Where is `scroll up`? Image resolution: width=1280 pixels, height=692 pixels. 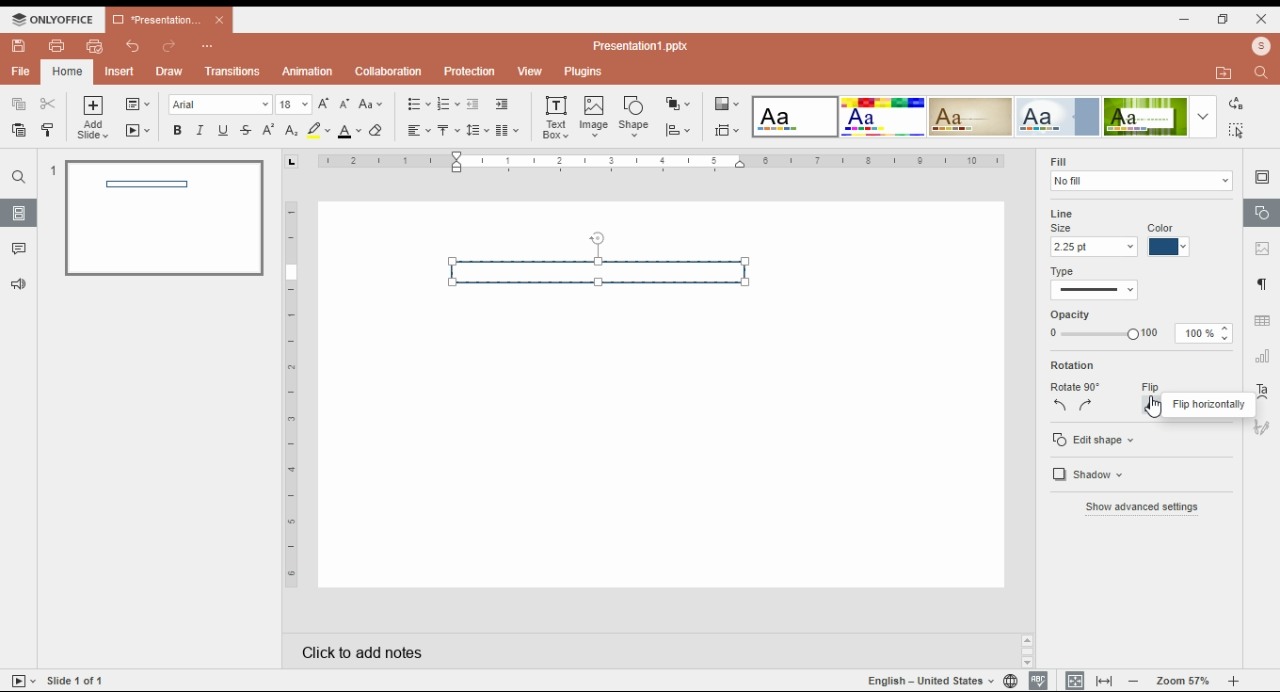
scroll up is located at coordinates (1028, 641).